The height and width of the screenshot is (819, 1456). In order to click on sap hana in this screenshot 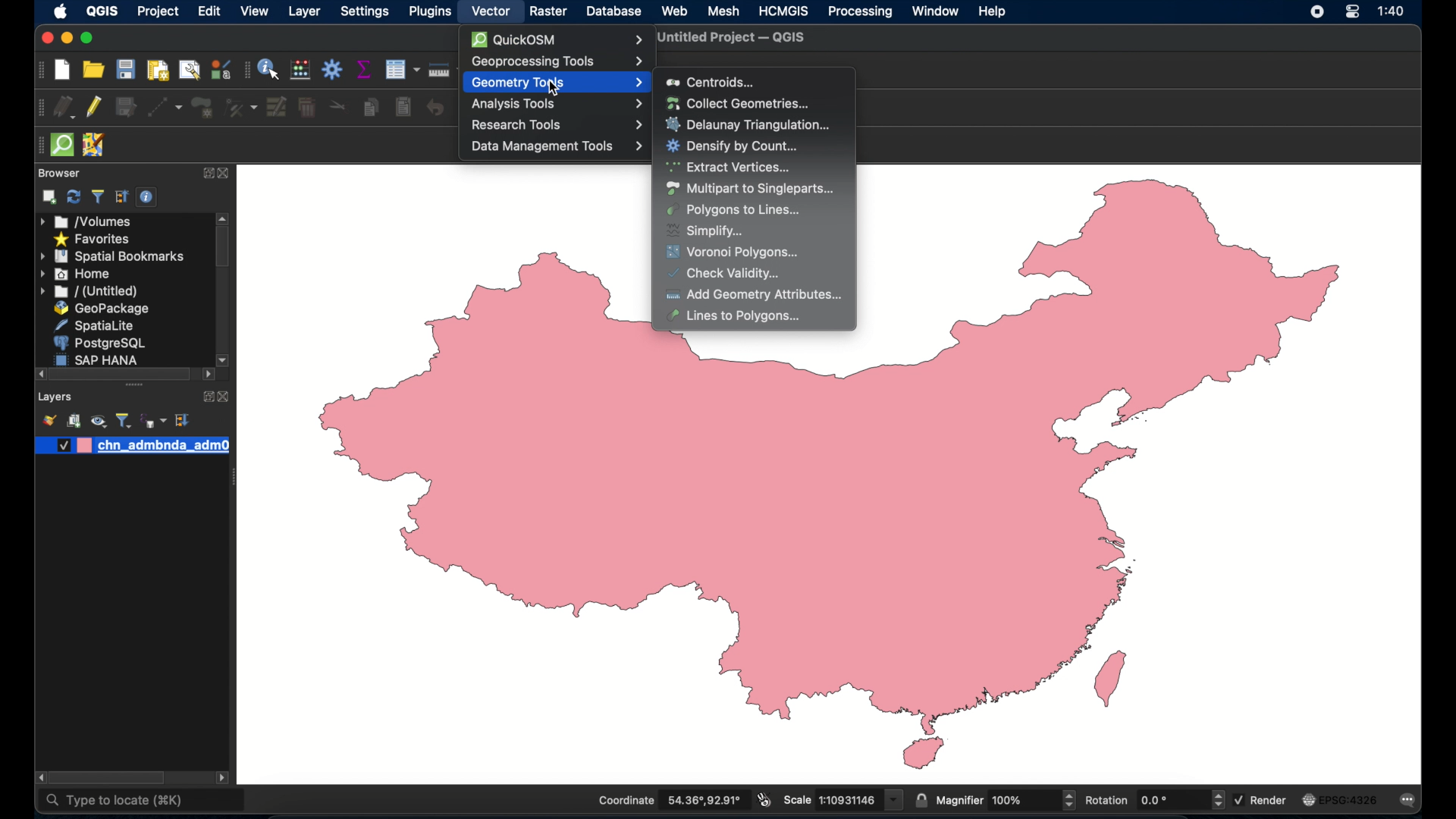, I will do `click(98, 359)`.